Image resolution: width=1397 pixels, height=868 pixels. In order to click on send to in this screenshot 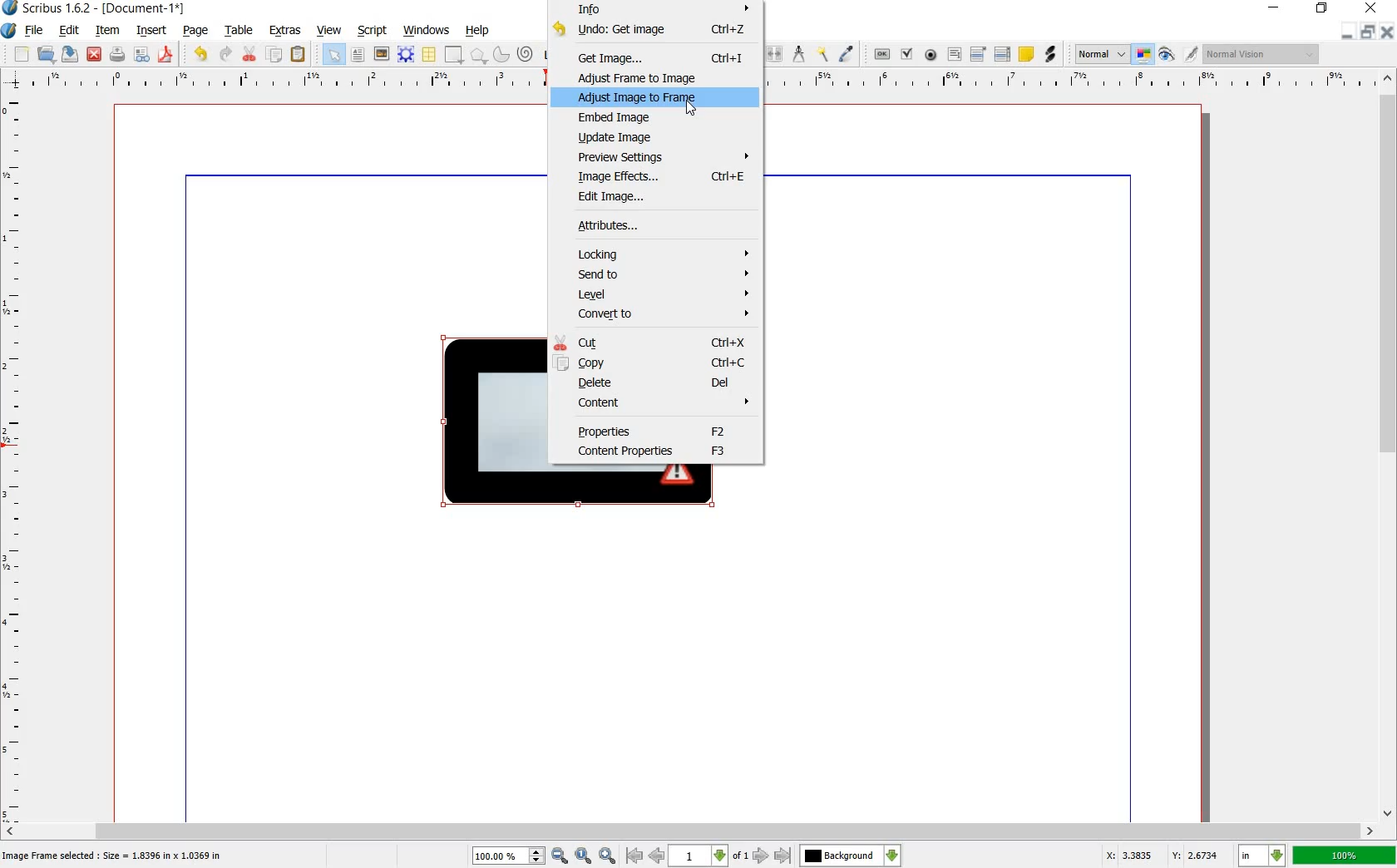, I will do `click(665, 275)`.